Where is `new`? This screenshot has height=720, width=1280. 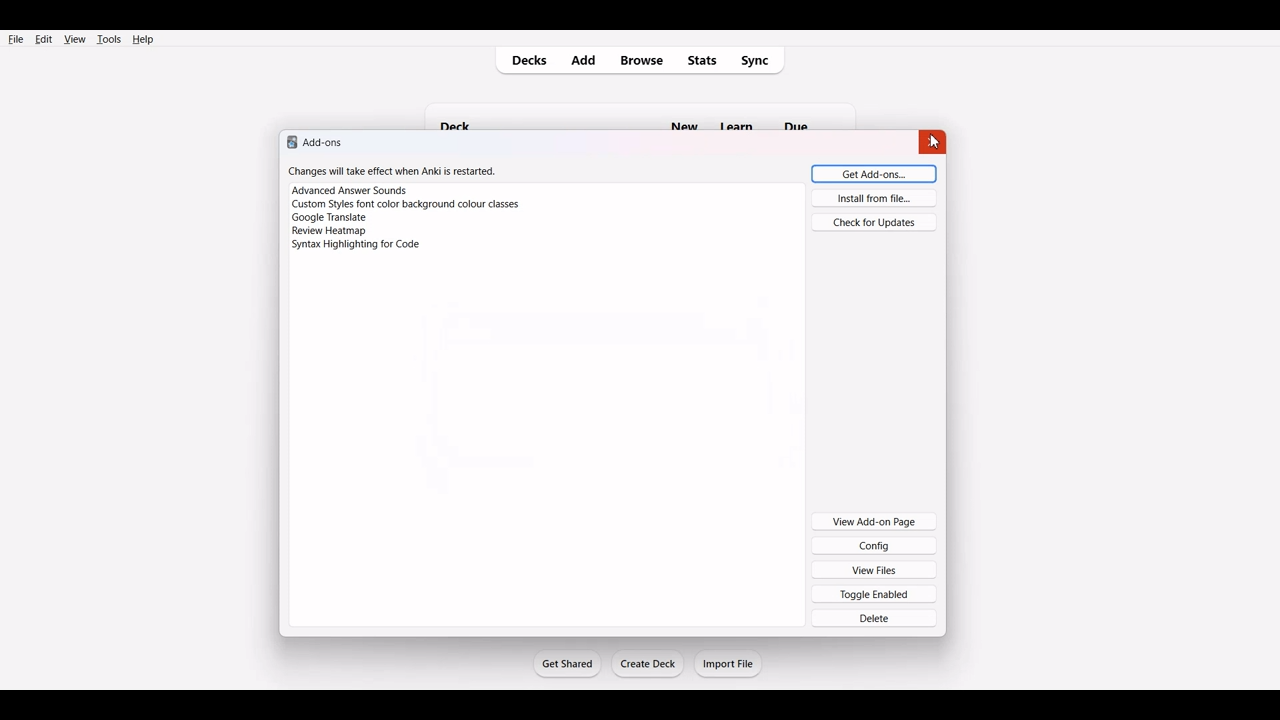 new is located at coordinates (683, 116).